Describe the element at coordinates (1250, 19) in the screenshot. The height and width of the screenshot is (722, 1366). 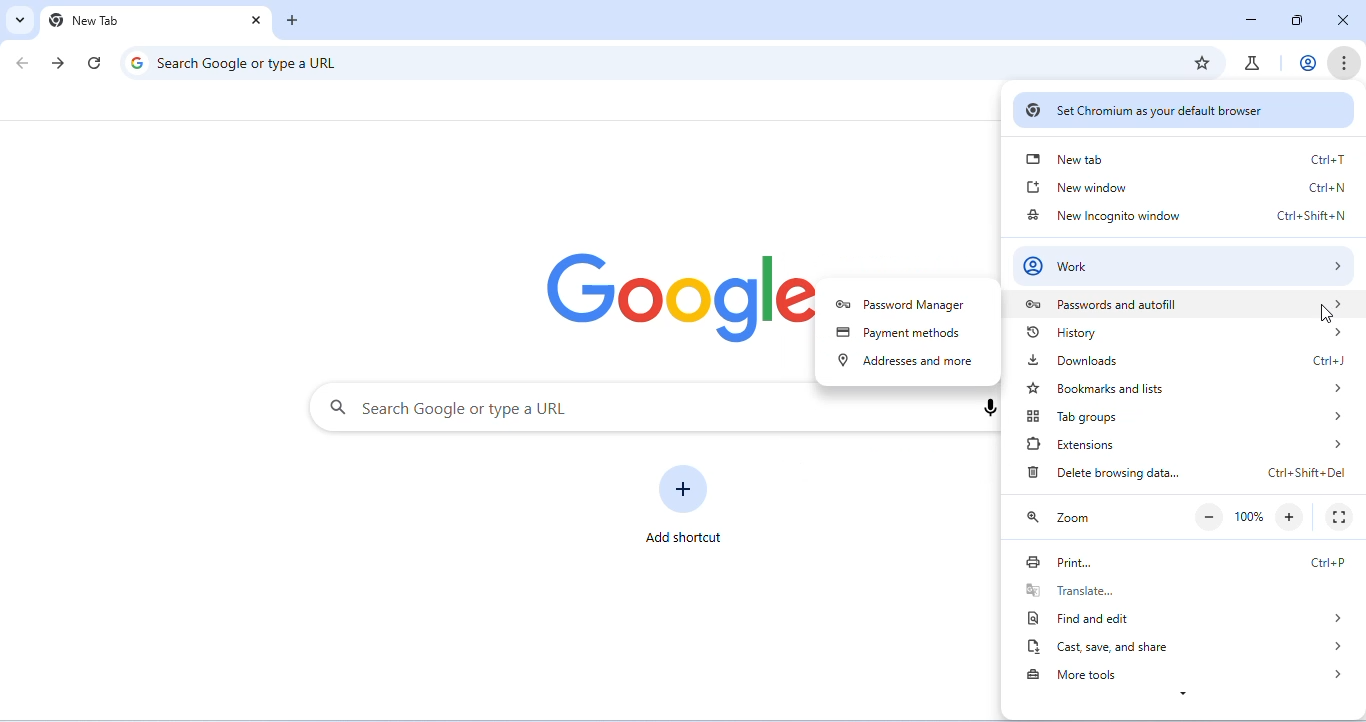
I see `minimize` at that location.